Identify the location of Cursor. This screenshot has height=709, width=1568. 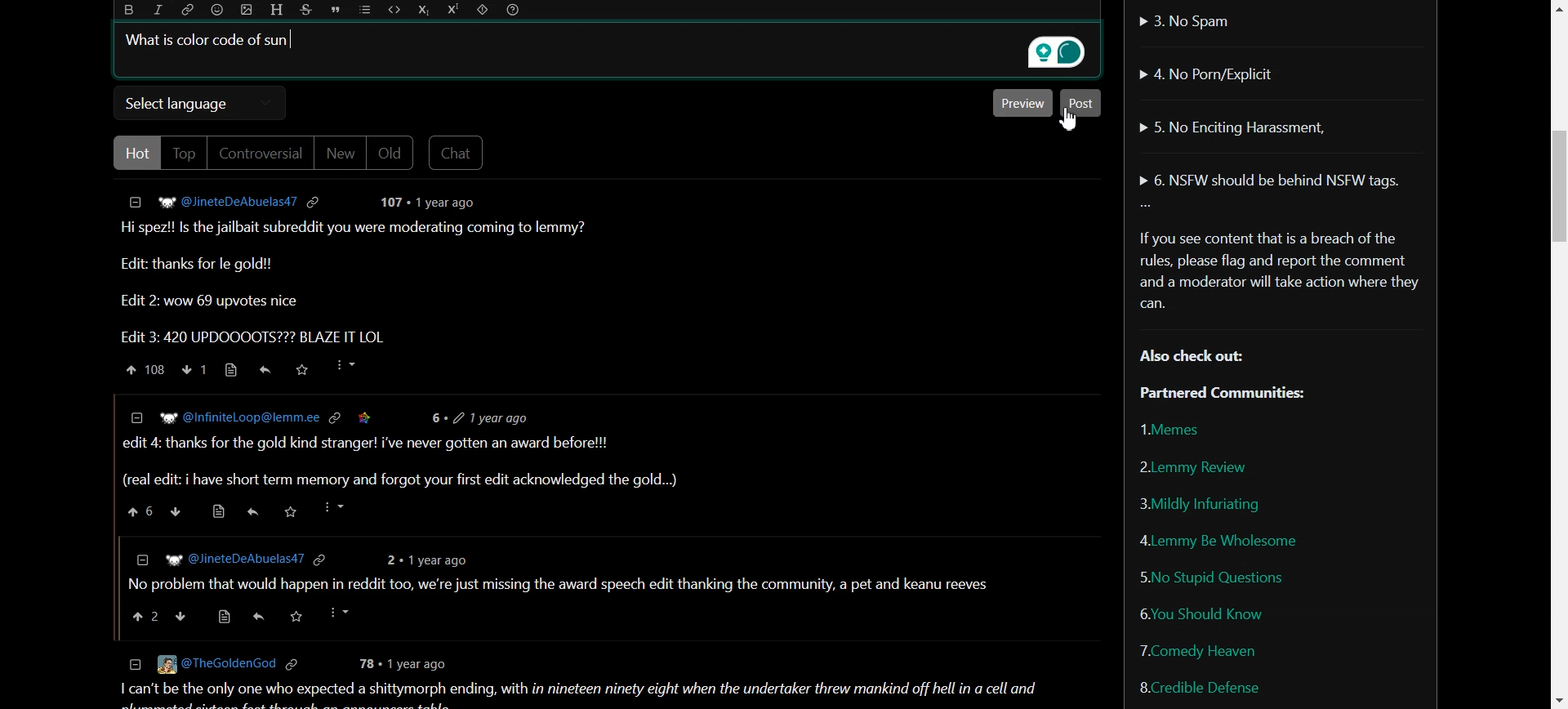
(1068, 118).